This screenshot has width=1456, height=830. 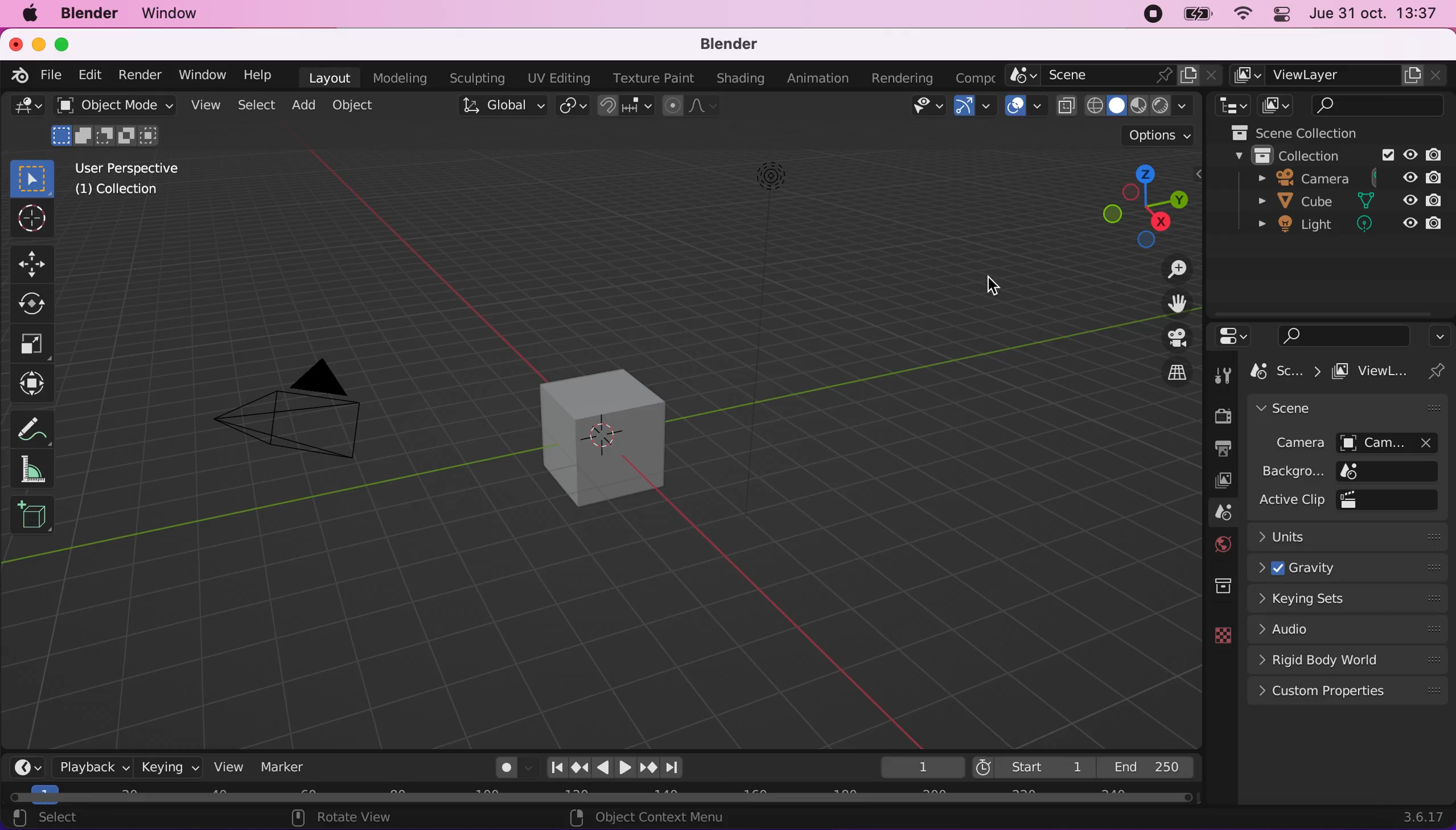 What do you see at coordinates (360, 107) in the screenshot?
I see `object` at bounding box center [360, 107].